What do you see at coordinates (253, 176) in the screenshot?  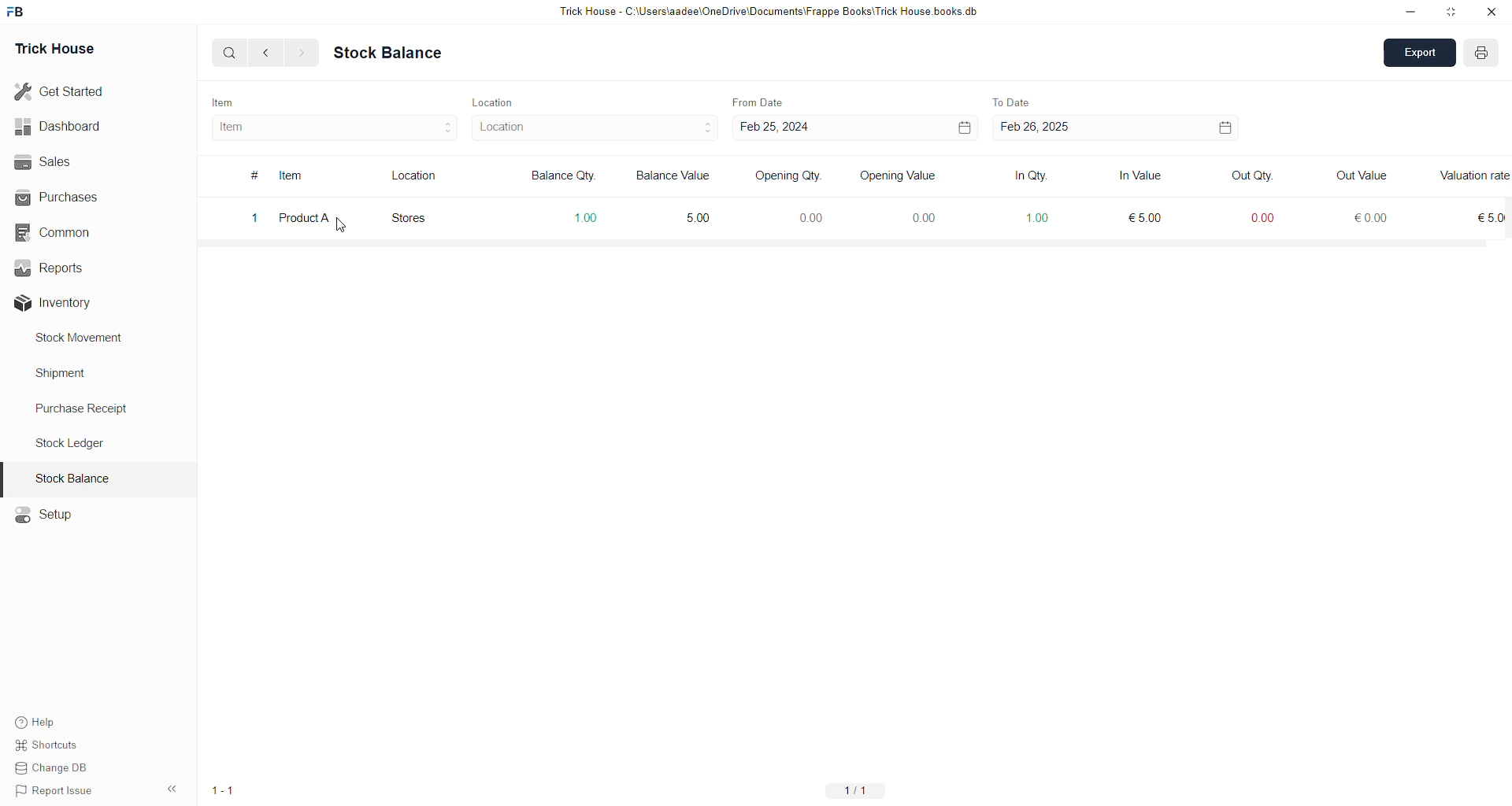 I see `# symbol` at bounding box center [253, 176].